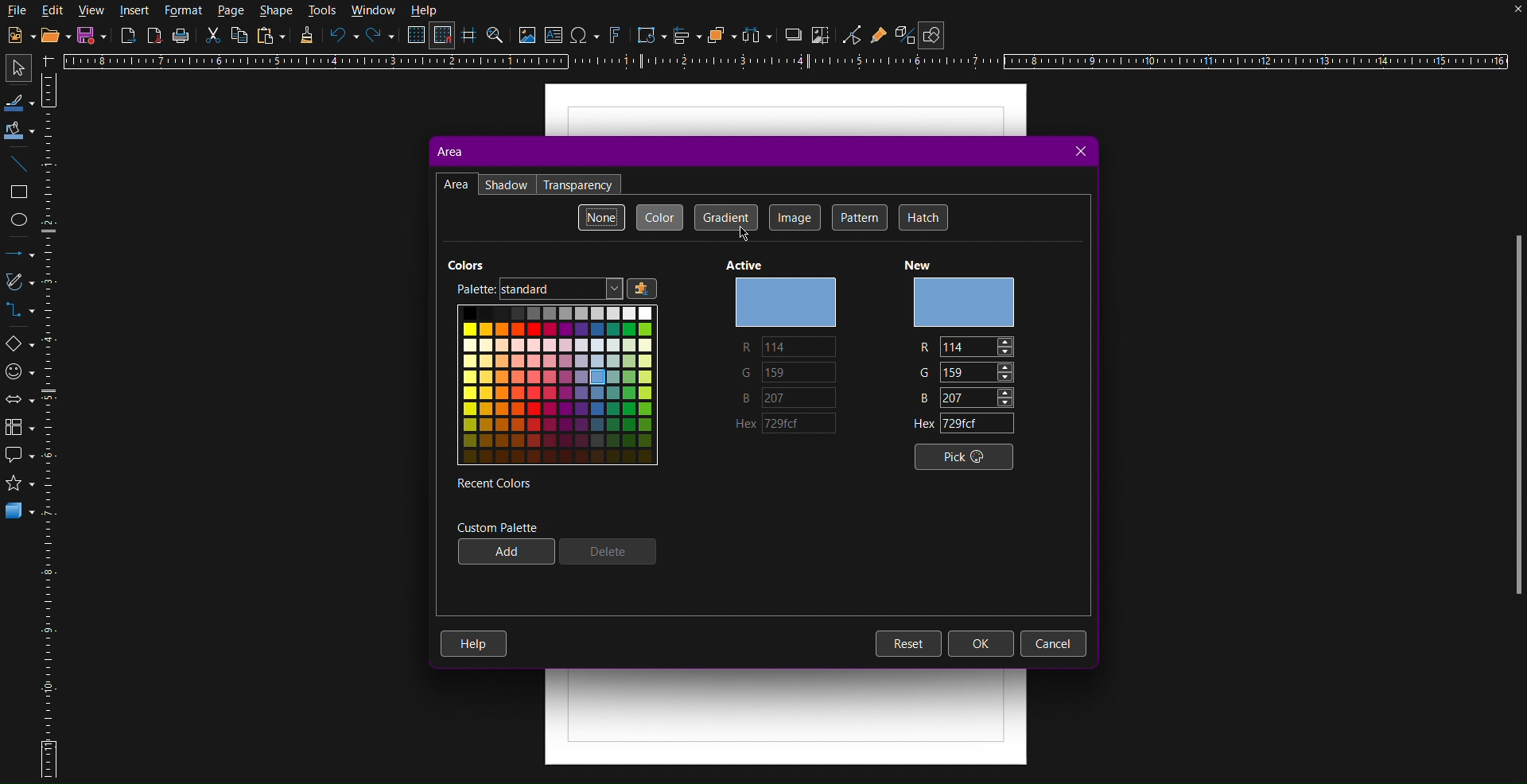 The height and width of the screenshot is (784, 1527). I want to click on Snap to Grid, so click(445, 37).